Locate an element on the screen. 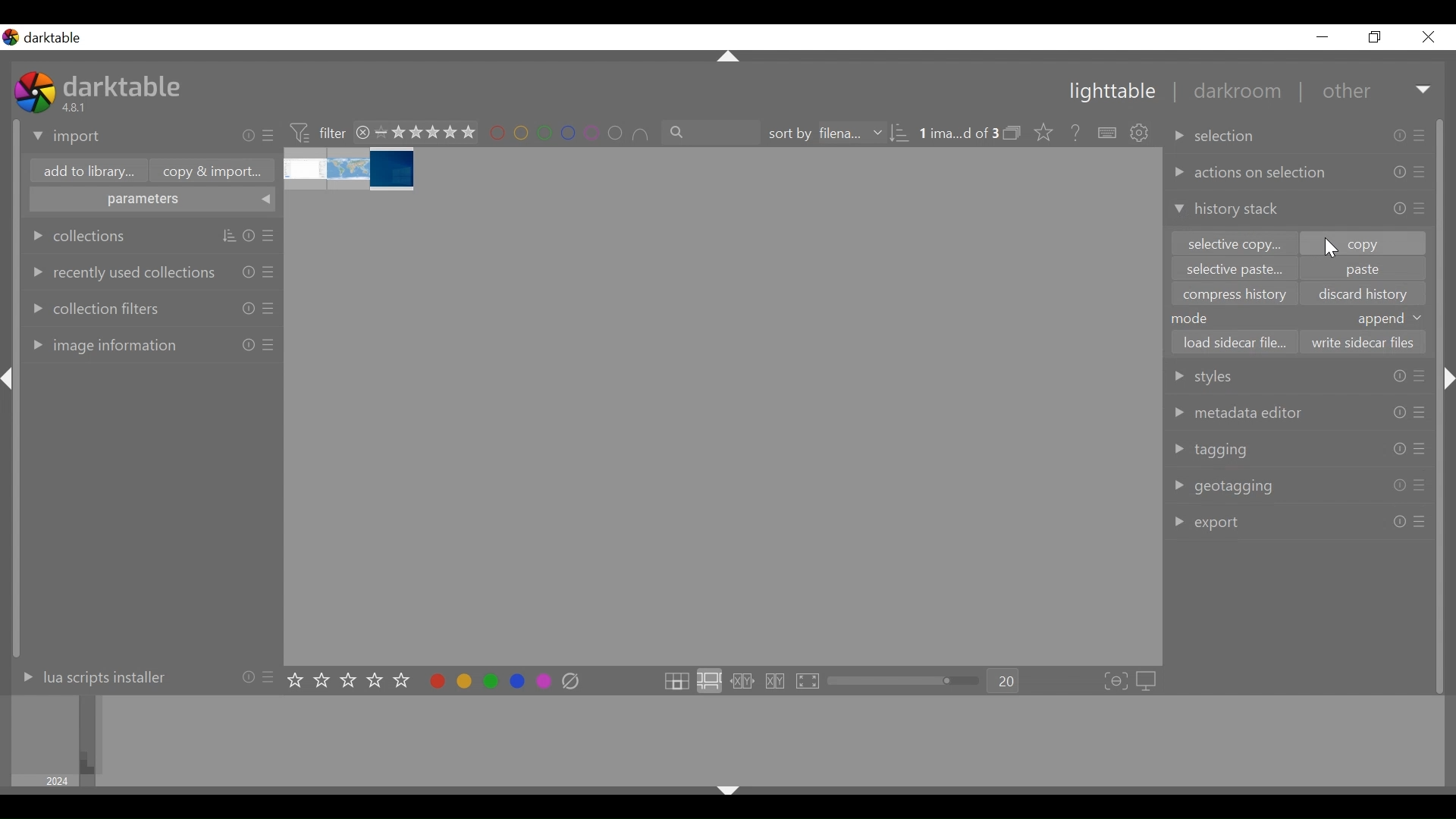  info is located at coordinates (1399, 378).